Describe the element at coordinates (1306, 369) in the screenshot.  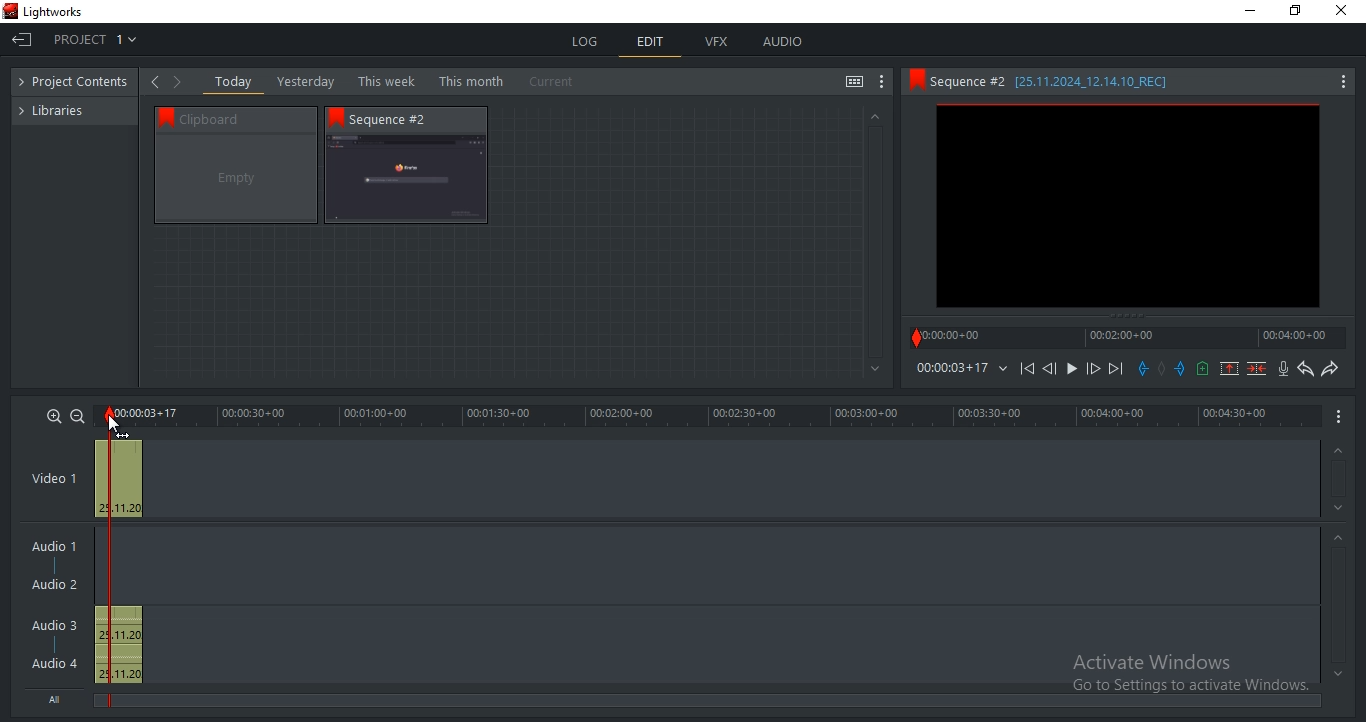
I see `undo` at that location.